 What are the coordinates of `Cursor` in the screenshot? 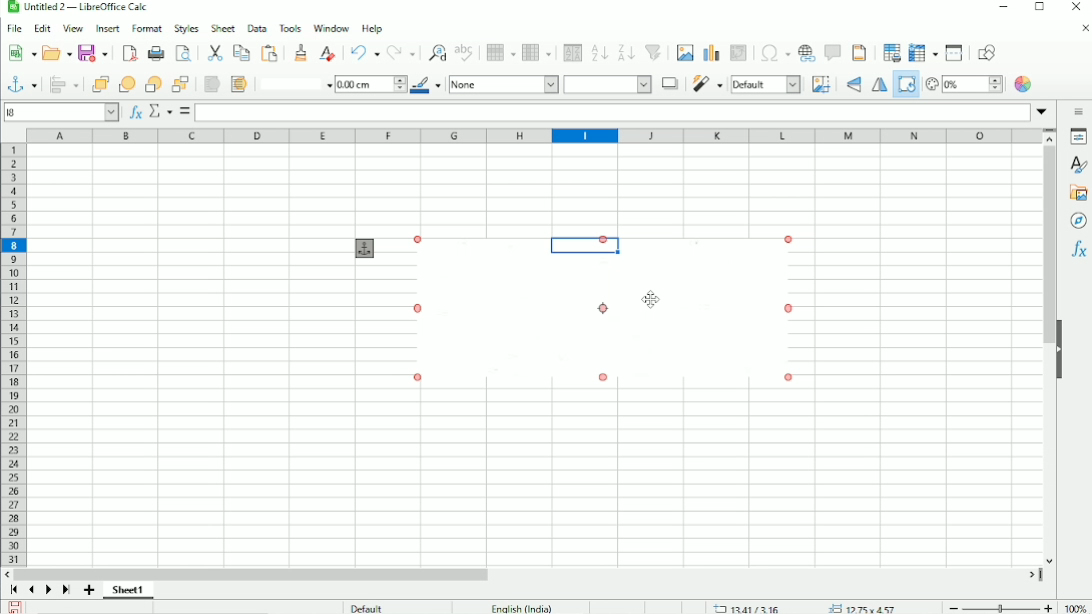 It's located at (650, 299).